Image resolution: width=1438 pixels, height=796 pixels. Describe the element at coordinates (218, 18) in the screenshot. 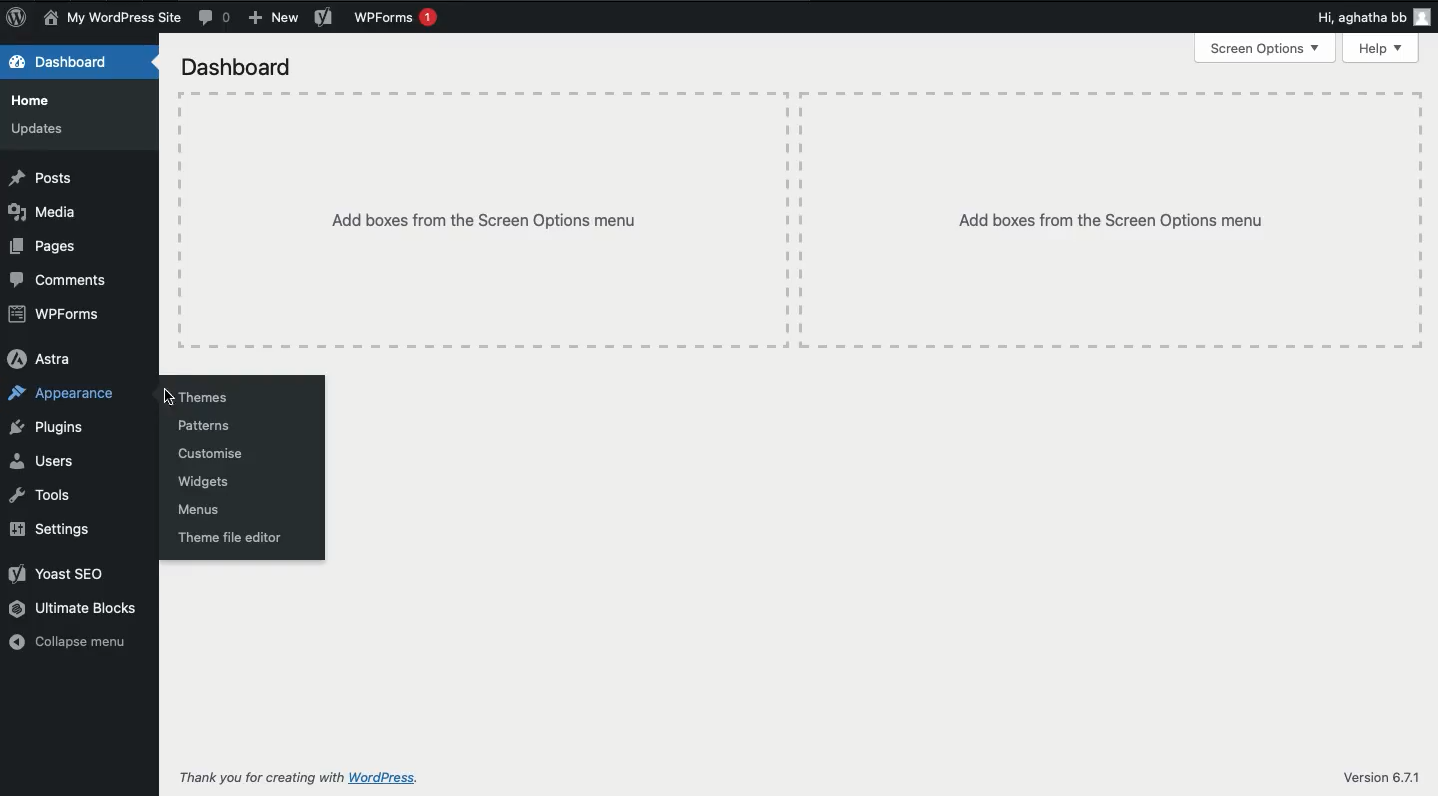

I see `Comment` at that location.